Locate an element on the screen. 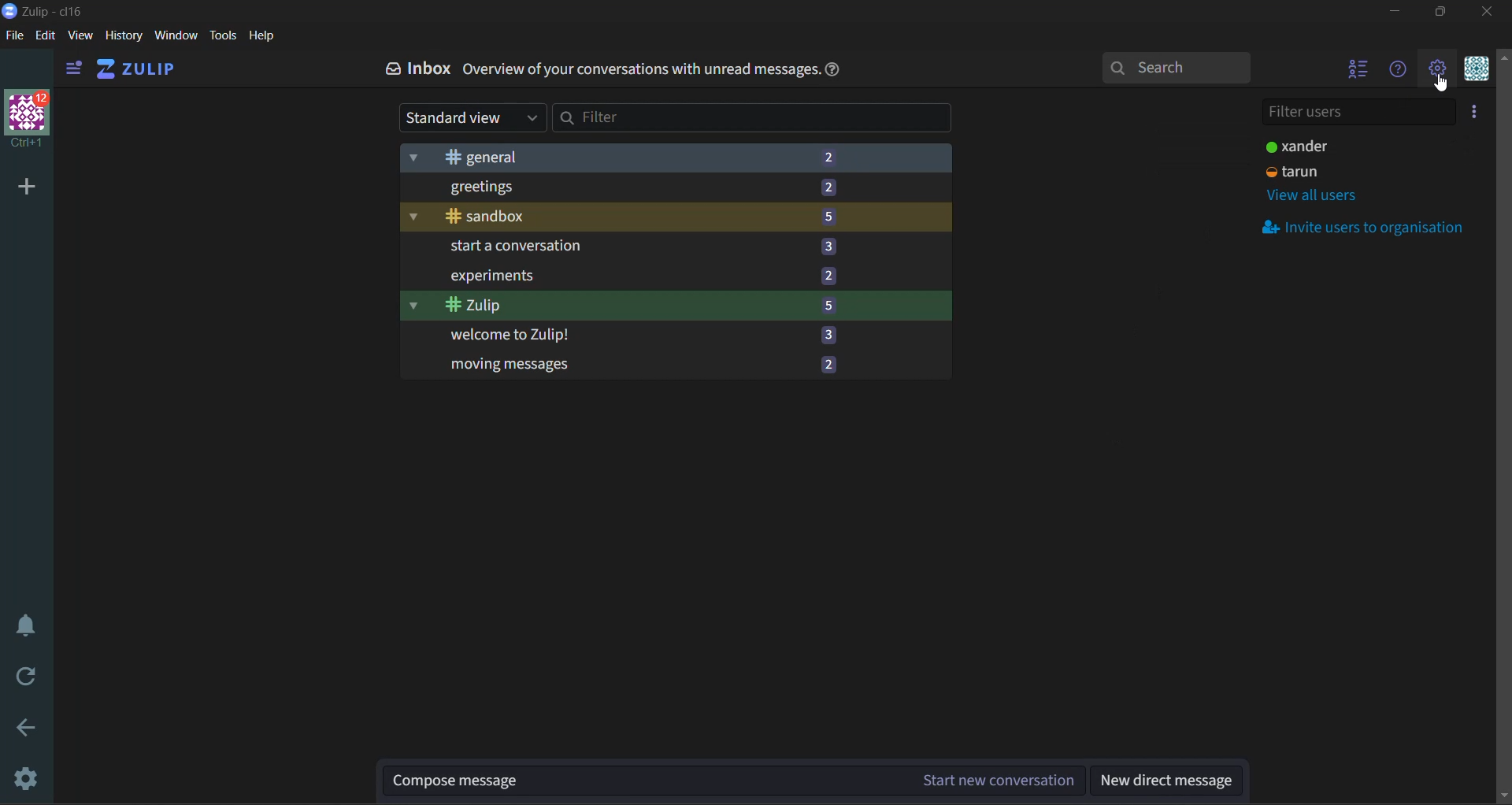  settings is located at coordinates (28, 776).